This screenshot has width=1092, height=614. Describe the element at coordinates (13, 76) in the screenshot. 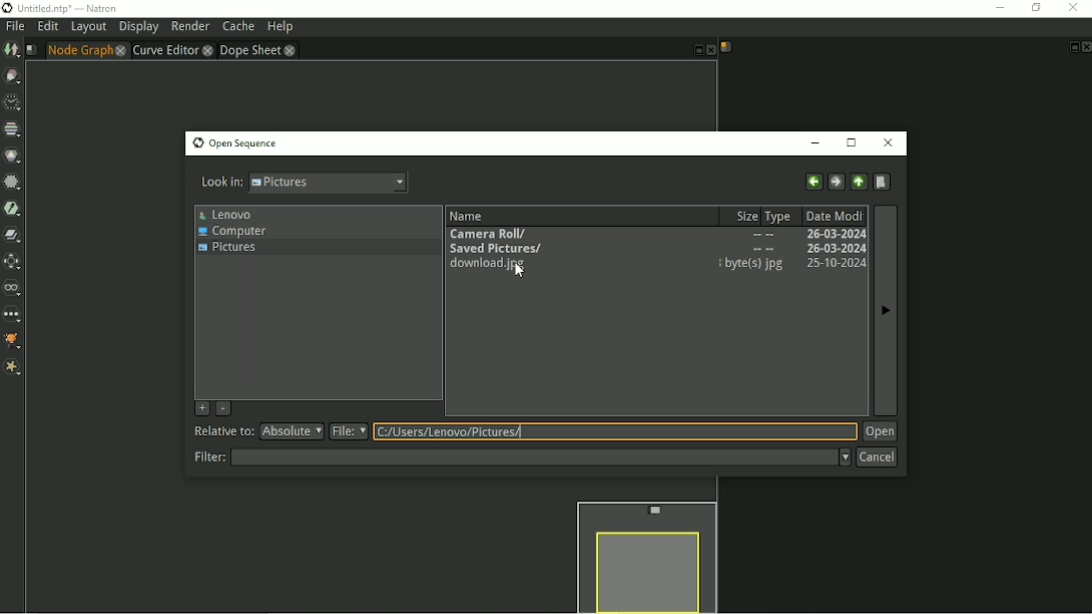

I see `Draw` at that location.